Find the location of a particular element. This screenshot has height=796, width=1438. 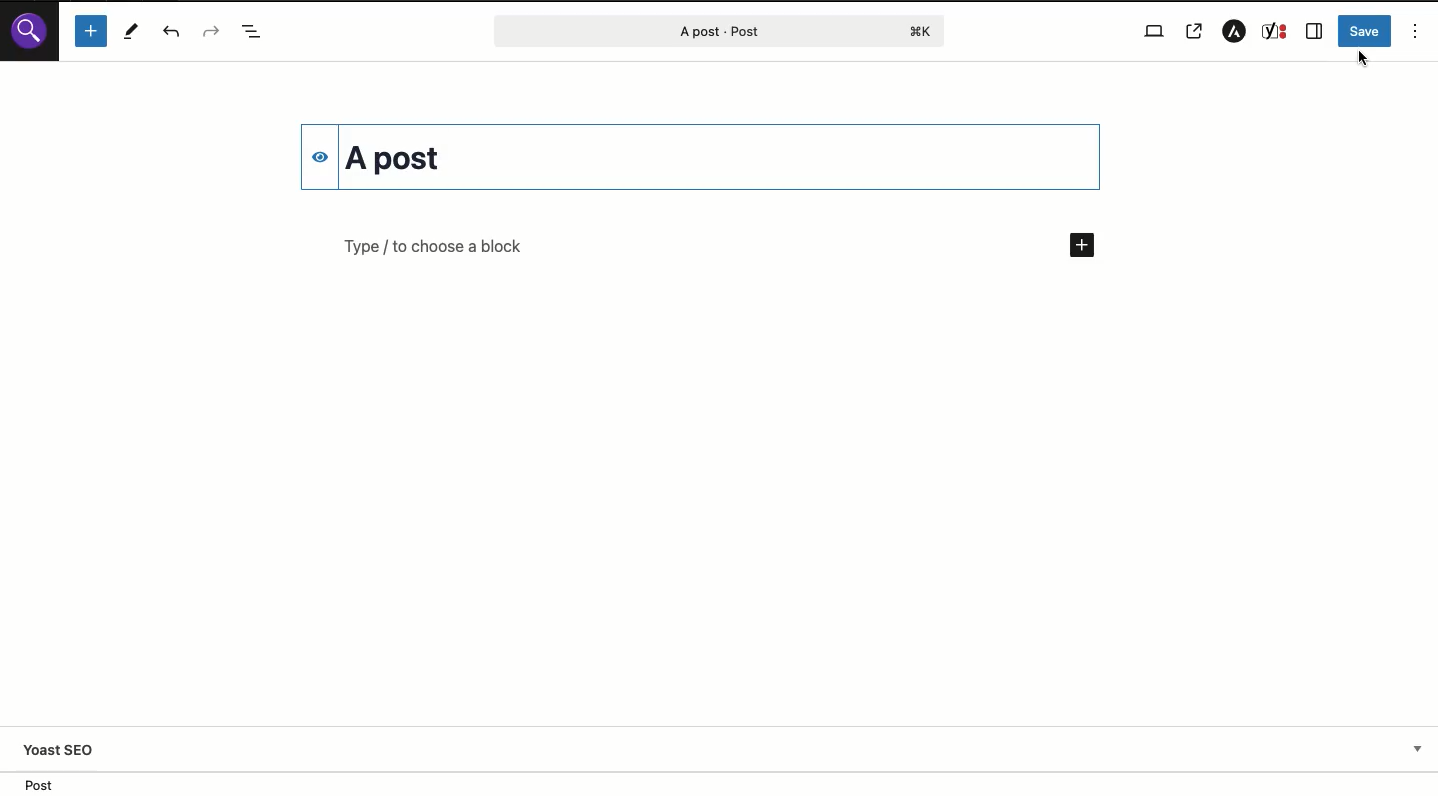

Add new block is located at coordinates (1081, 246).